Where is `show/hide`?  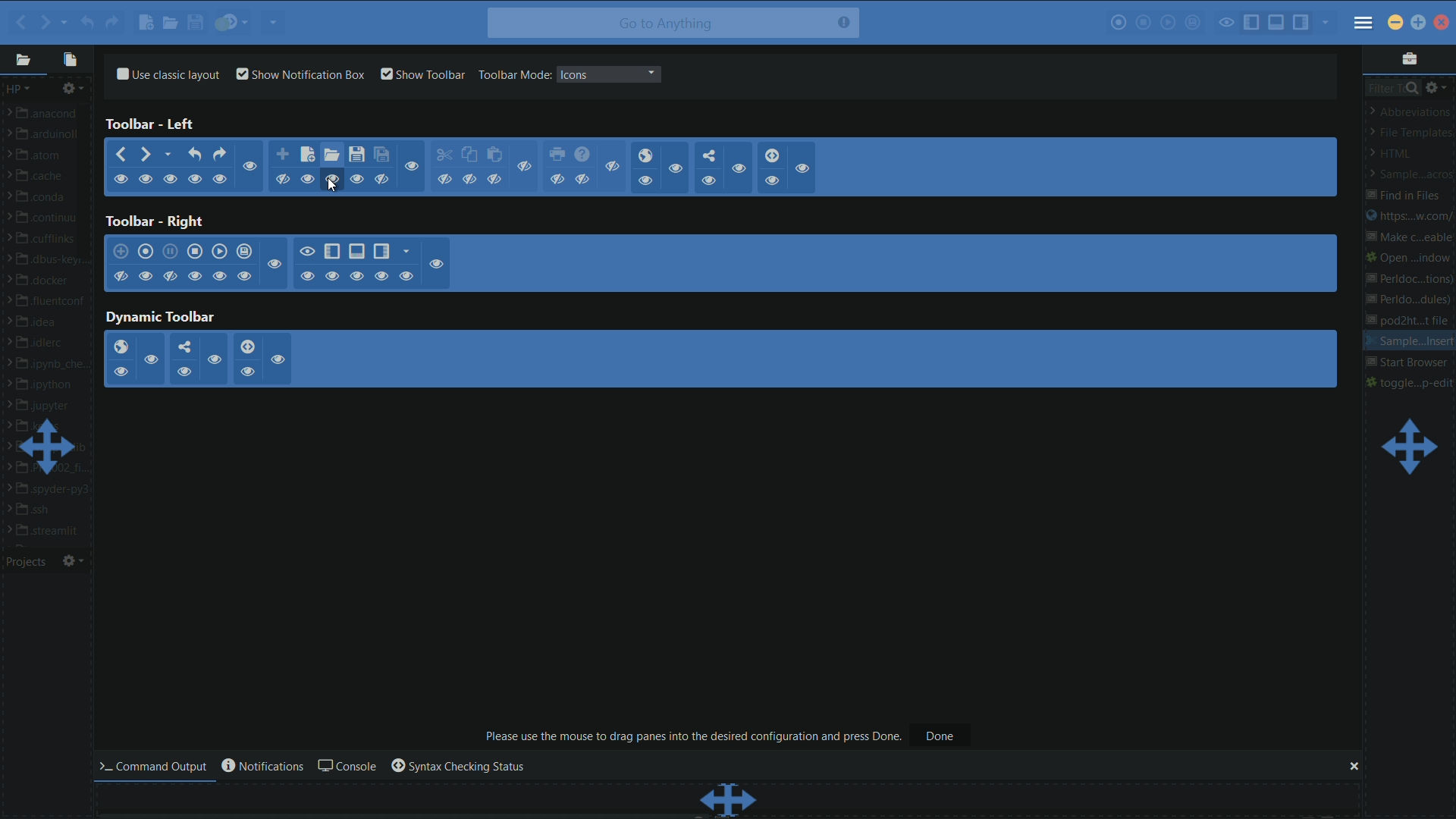 show/hide is located at coordinates (356, 178).